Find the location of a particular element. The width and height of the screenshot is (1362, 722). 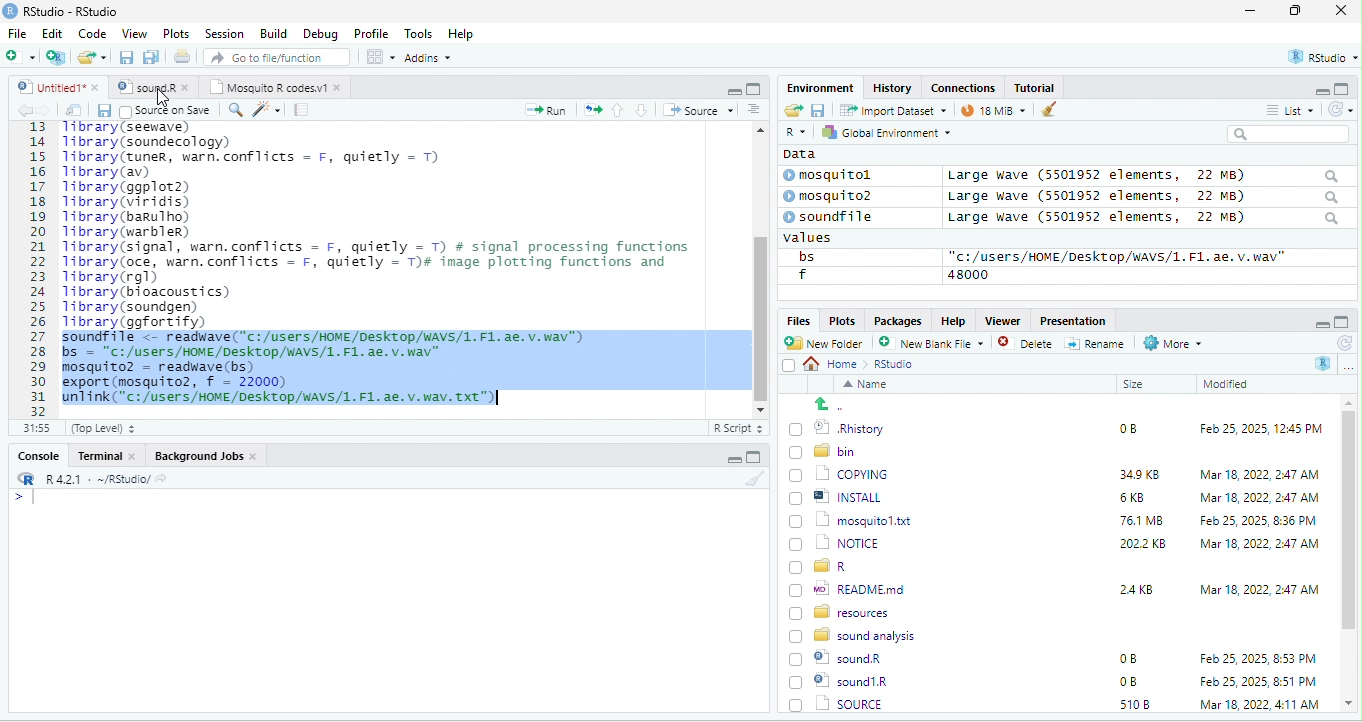

maximize is located at coordinates (1342, 322).